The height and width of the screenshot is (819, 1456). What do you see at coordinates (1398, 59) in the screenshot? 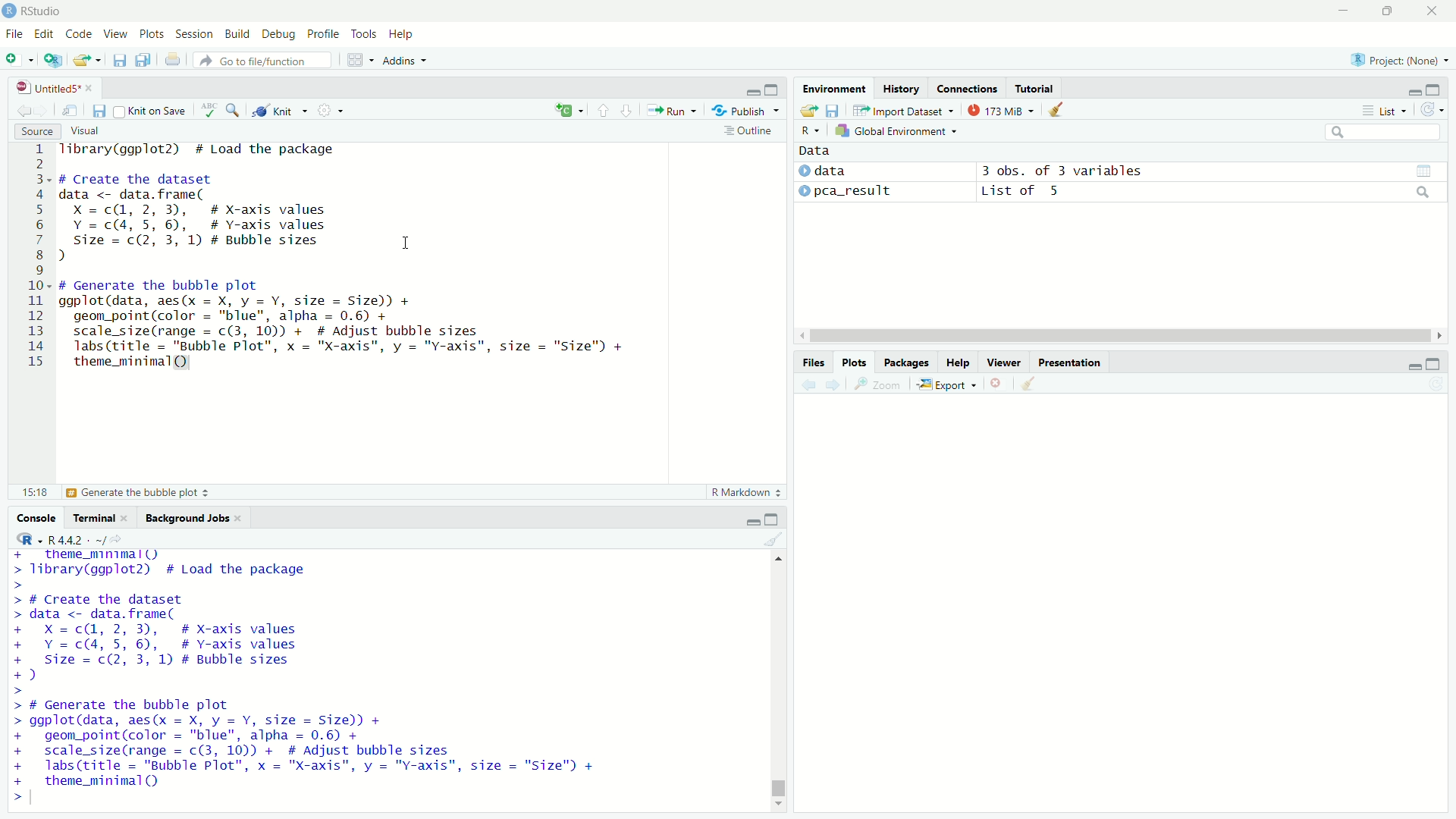
I see `selected project : none` at bounding box center [1398, 59].